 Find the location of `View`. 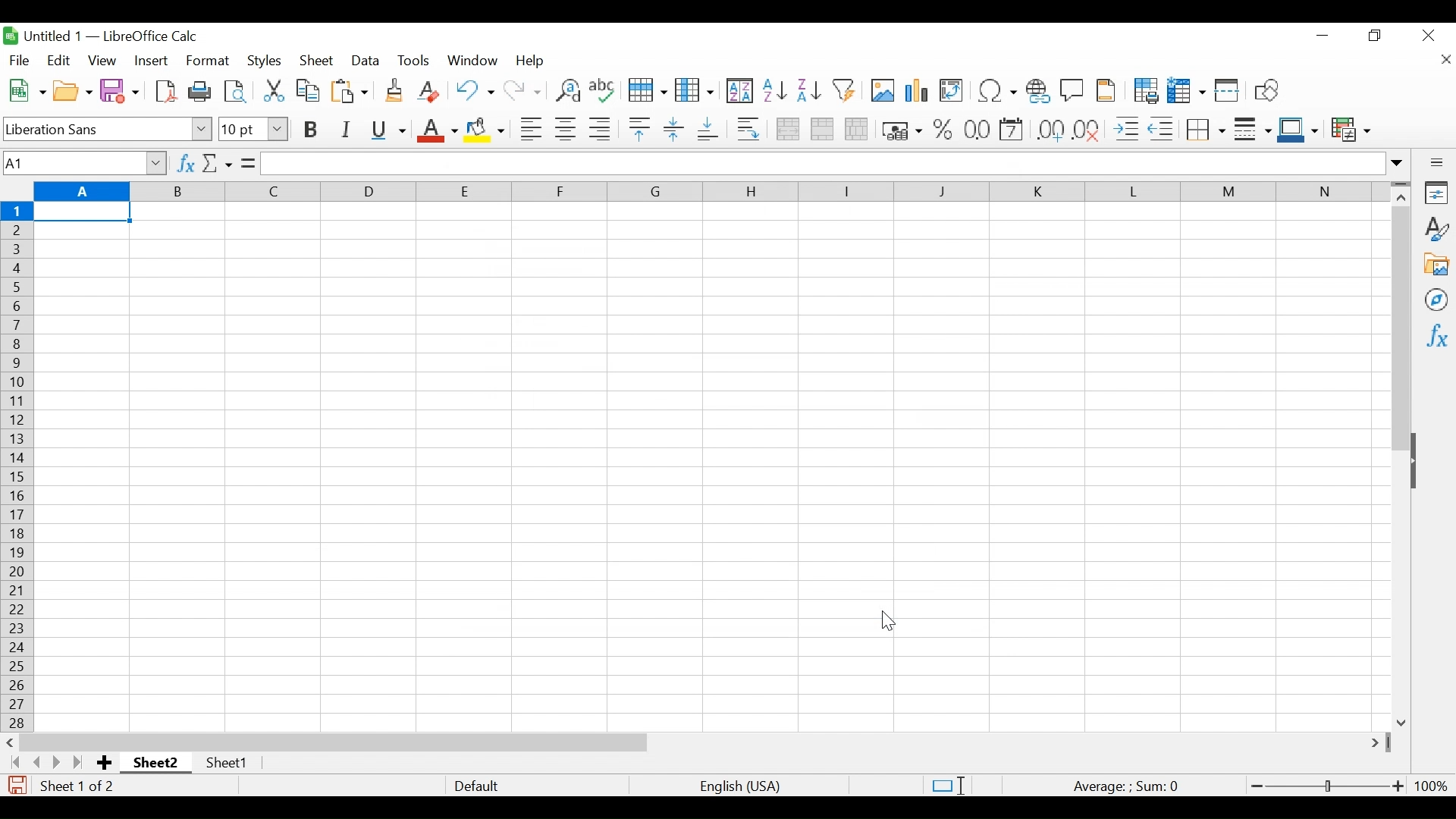

View is located at coordinates (102, 60).